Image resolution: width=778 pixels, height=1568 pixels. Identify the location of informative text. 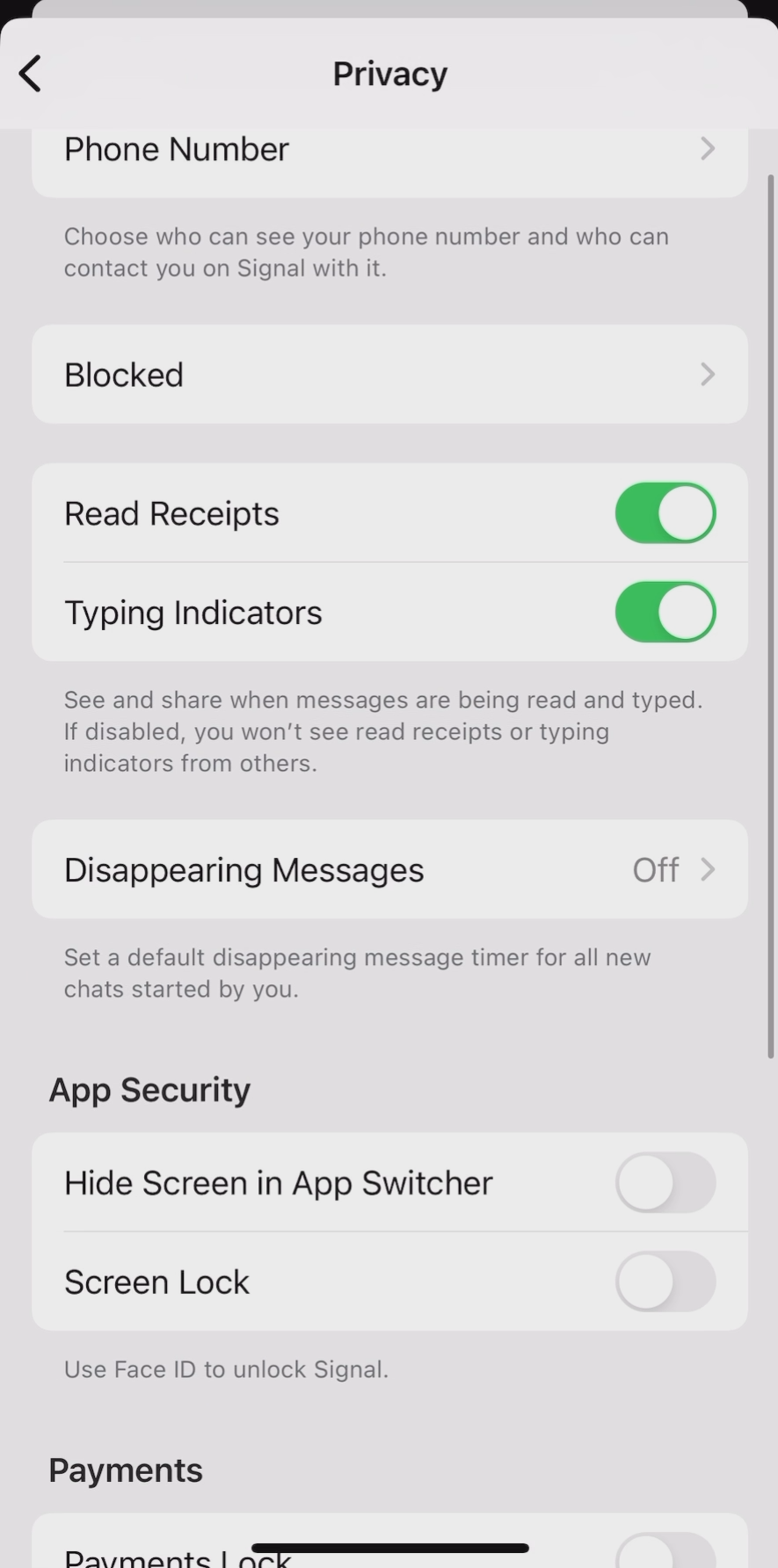
(373, 258).